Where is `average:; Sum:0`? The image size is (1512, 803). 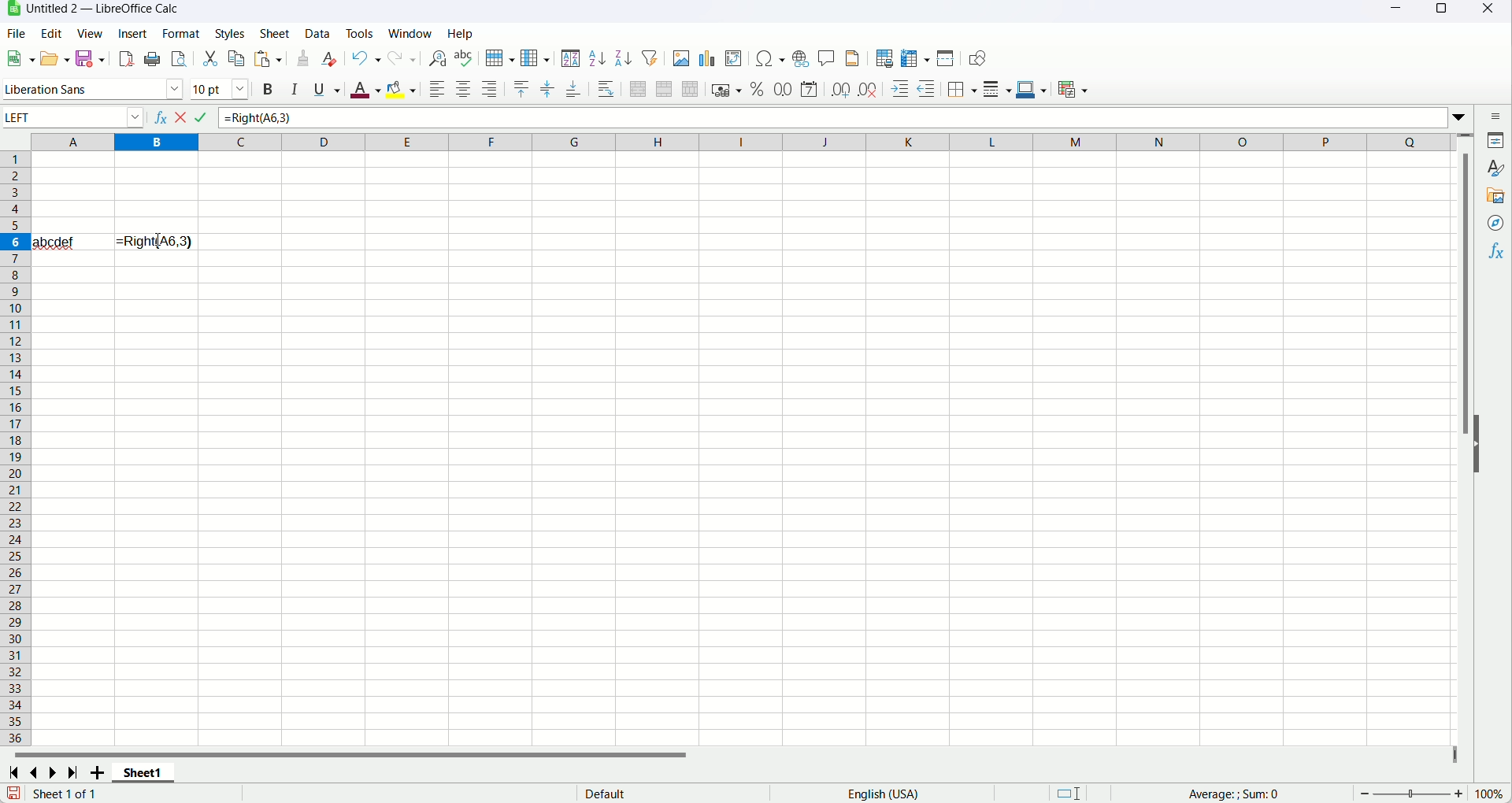
average:; Sum:0 is located at coordinates (1235, 794).